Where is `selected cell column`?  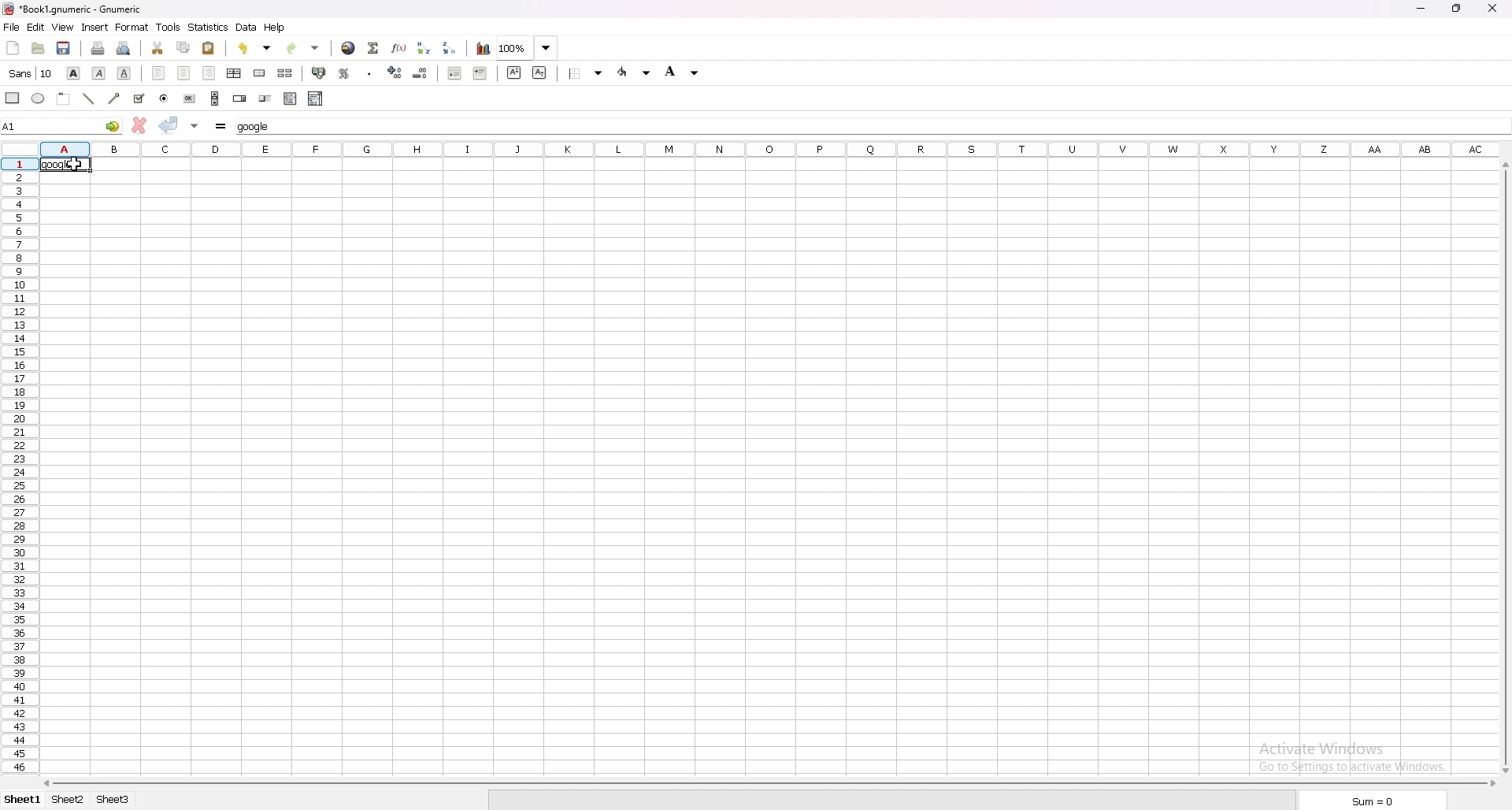
selected cell column is located at coordinates (773, 147).